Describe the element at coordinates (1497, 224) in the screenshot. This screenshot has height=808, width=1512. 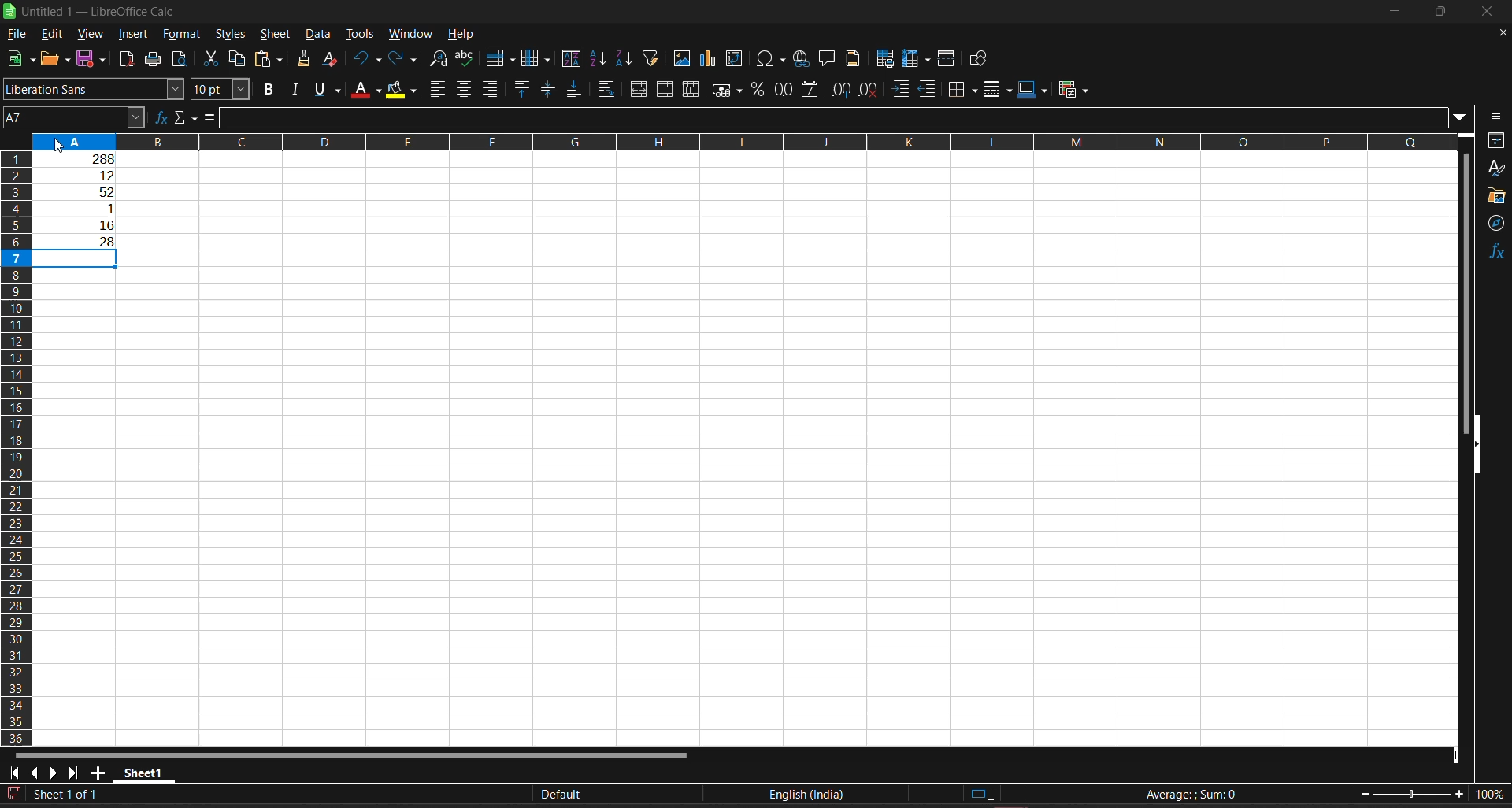
I see `navigator` at that location.